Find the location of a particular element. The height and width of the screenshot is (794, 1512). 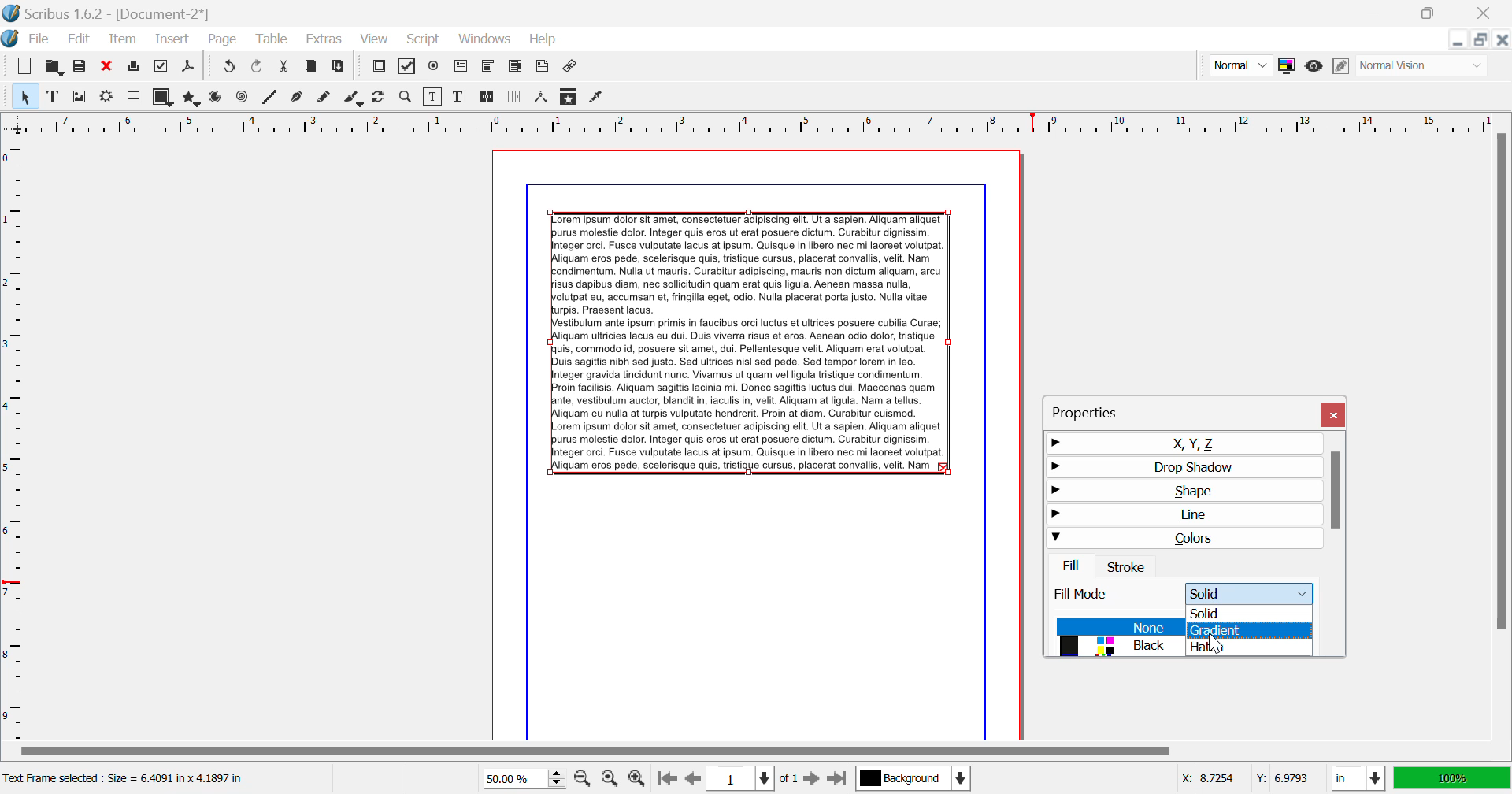

Save as PDF is located at coordinates (189, 68).